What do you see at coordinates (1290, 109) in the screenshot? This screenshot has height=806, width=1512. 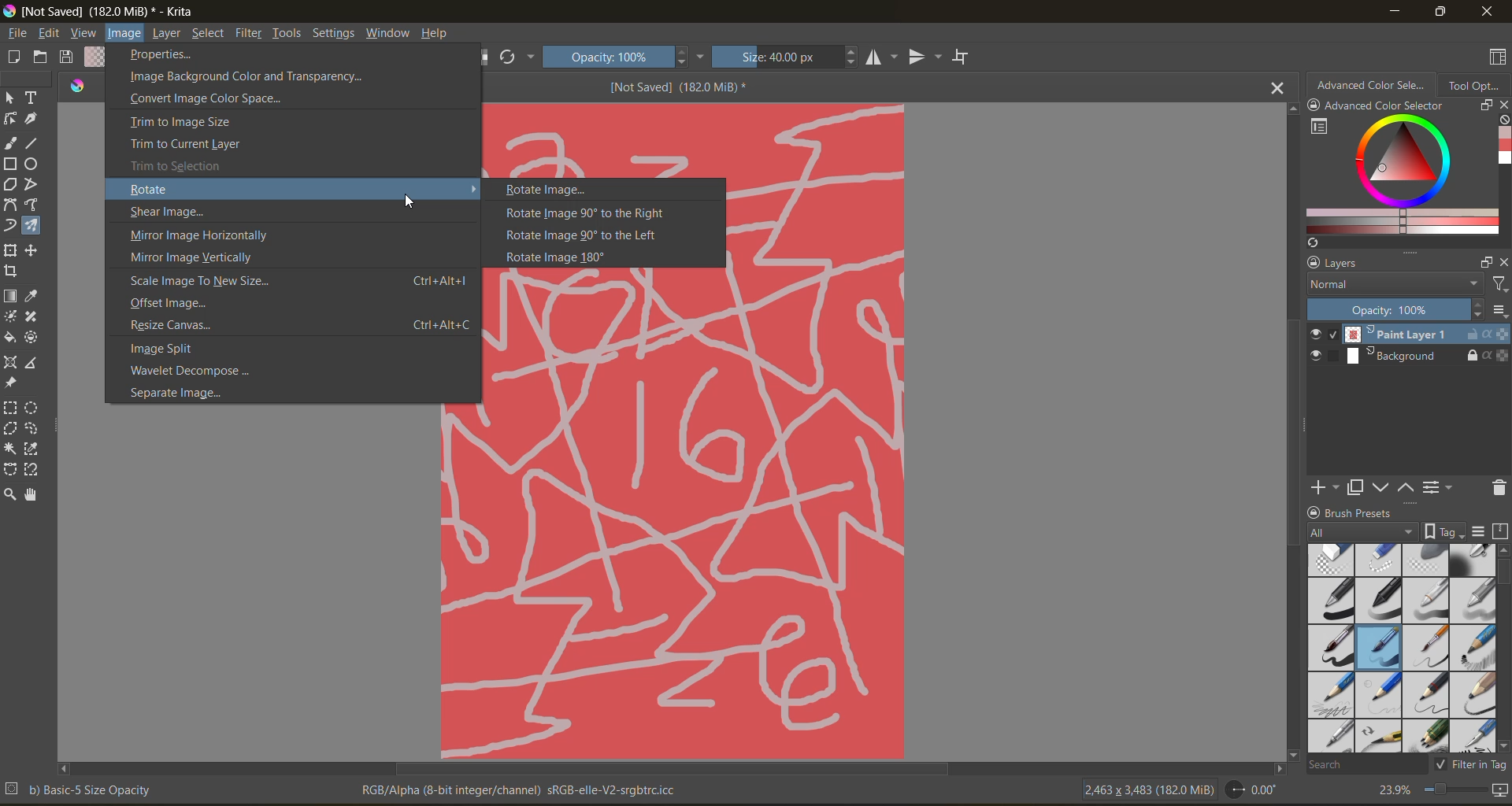 I see `Scroll up` at bounding box center [1290, 109].